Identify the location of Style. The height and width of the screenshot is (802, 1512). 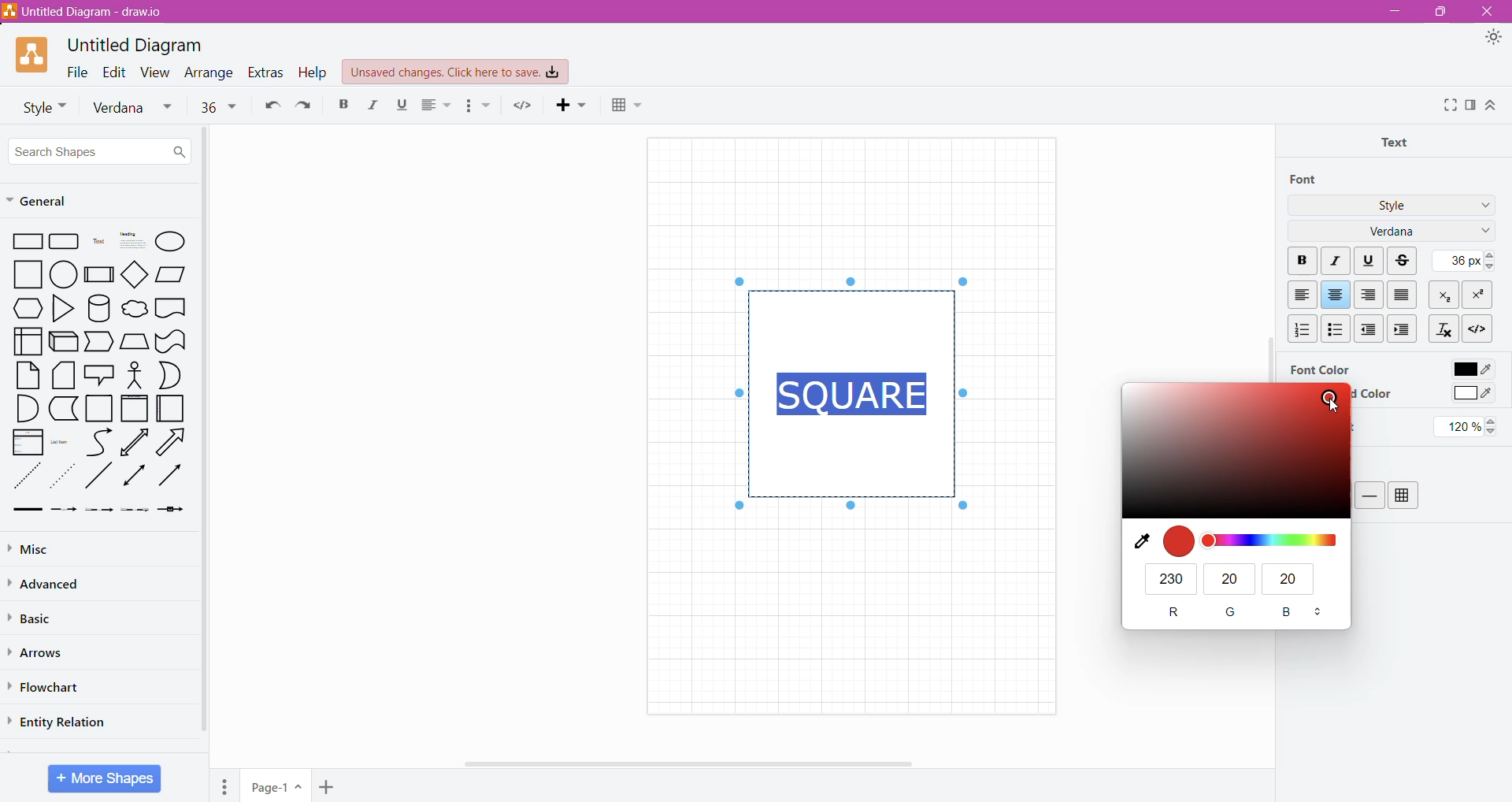
(1392, 204).